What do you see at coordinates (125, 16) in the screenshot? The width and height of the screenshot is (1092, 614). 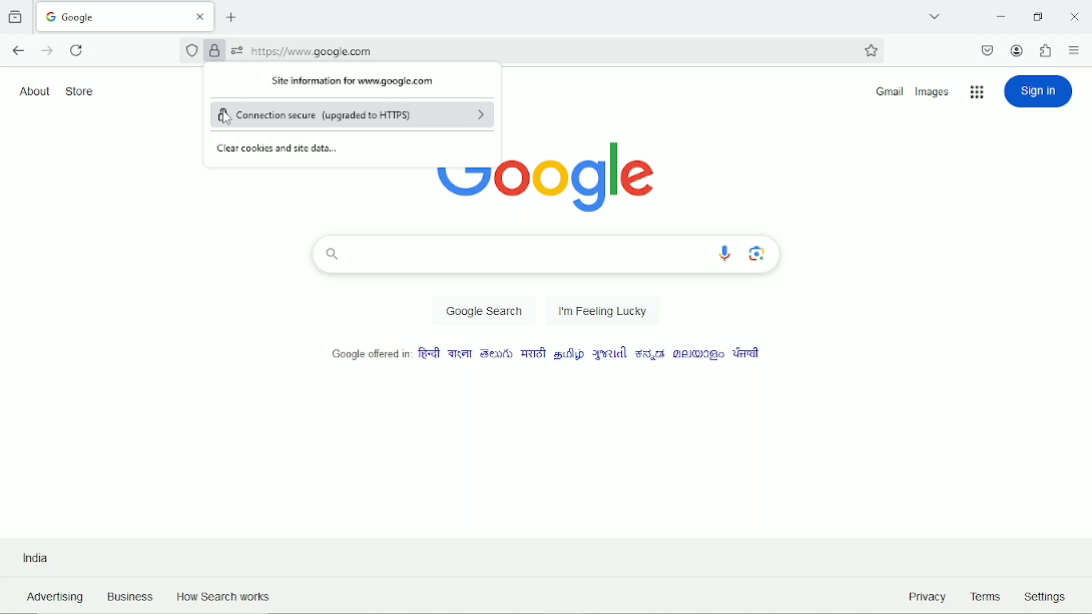 I see `google tab` at bounding box center [125, 16].